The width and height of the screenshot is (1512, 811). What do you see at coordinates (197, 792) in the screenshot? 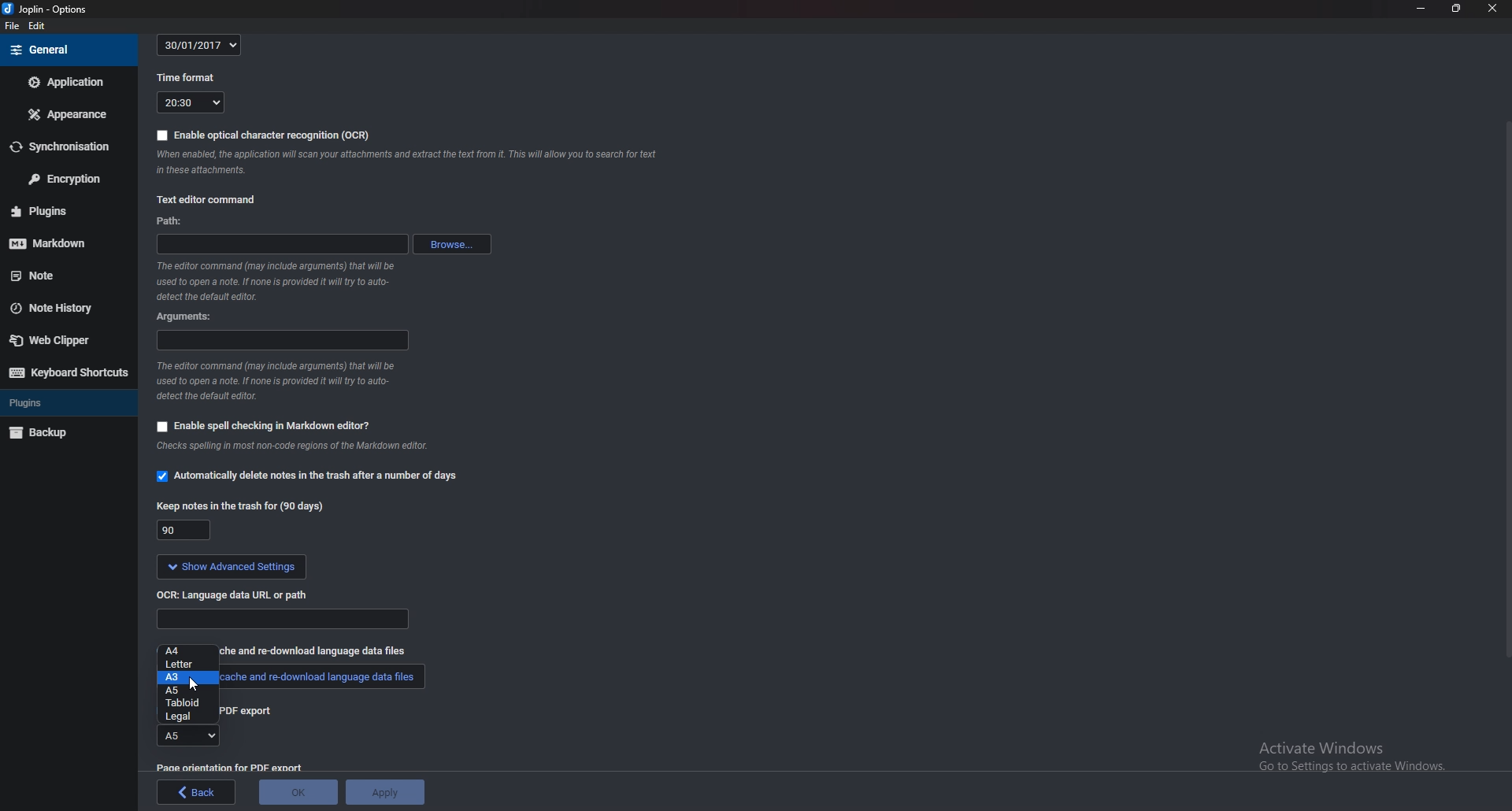
I see `Back` at bounding box center [197, 792].